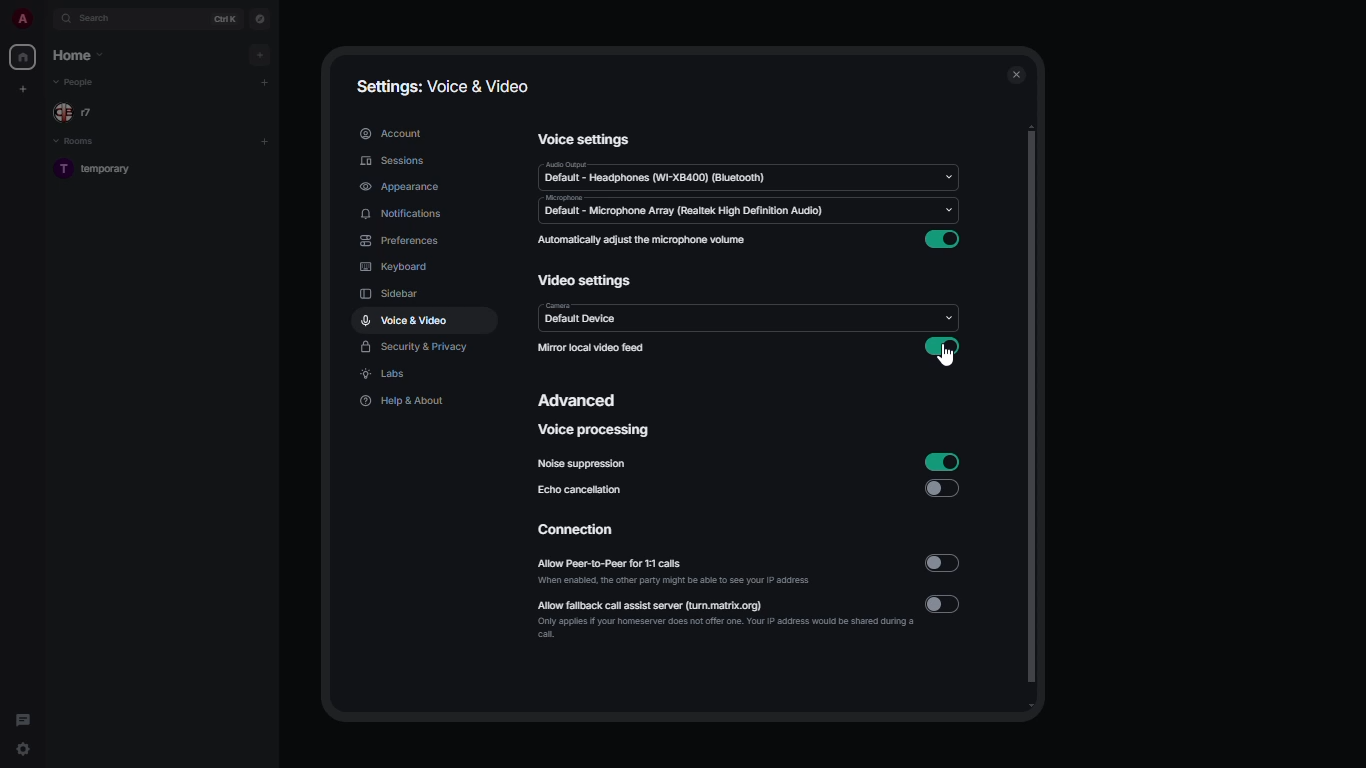 The height and width of the screenshot is (768, 1366). Describe the element at coordinates (386, 376) in the screenshot. I see `labs` at that location.